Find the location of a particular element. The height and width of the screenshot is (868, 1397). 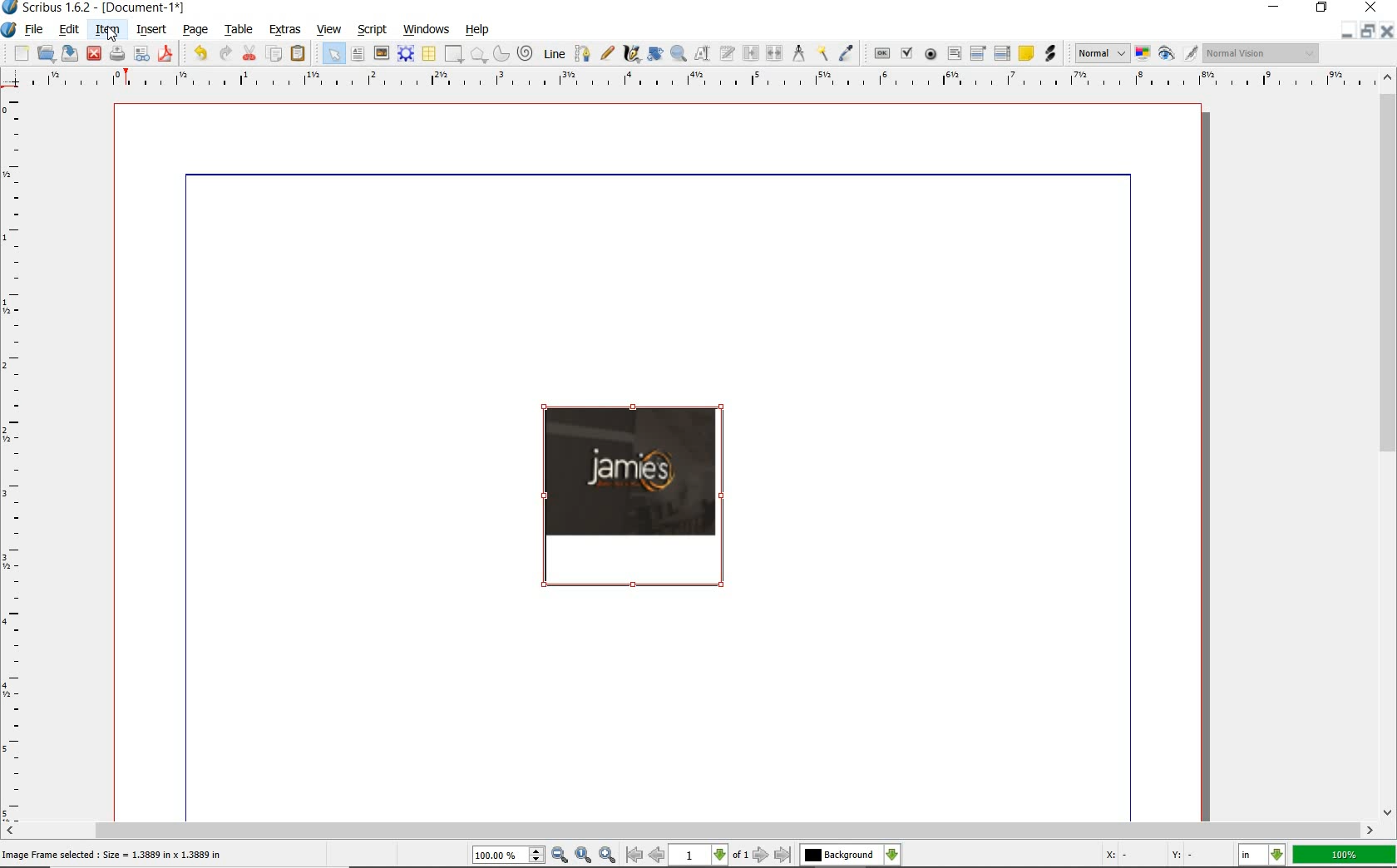

view is located at coordinates (332, 31).